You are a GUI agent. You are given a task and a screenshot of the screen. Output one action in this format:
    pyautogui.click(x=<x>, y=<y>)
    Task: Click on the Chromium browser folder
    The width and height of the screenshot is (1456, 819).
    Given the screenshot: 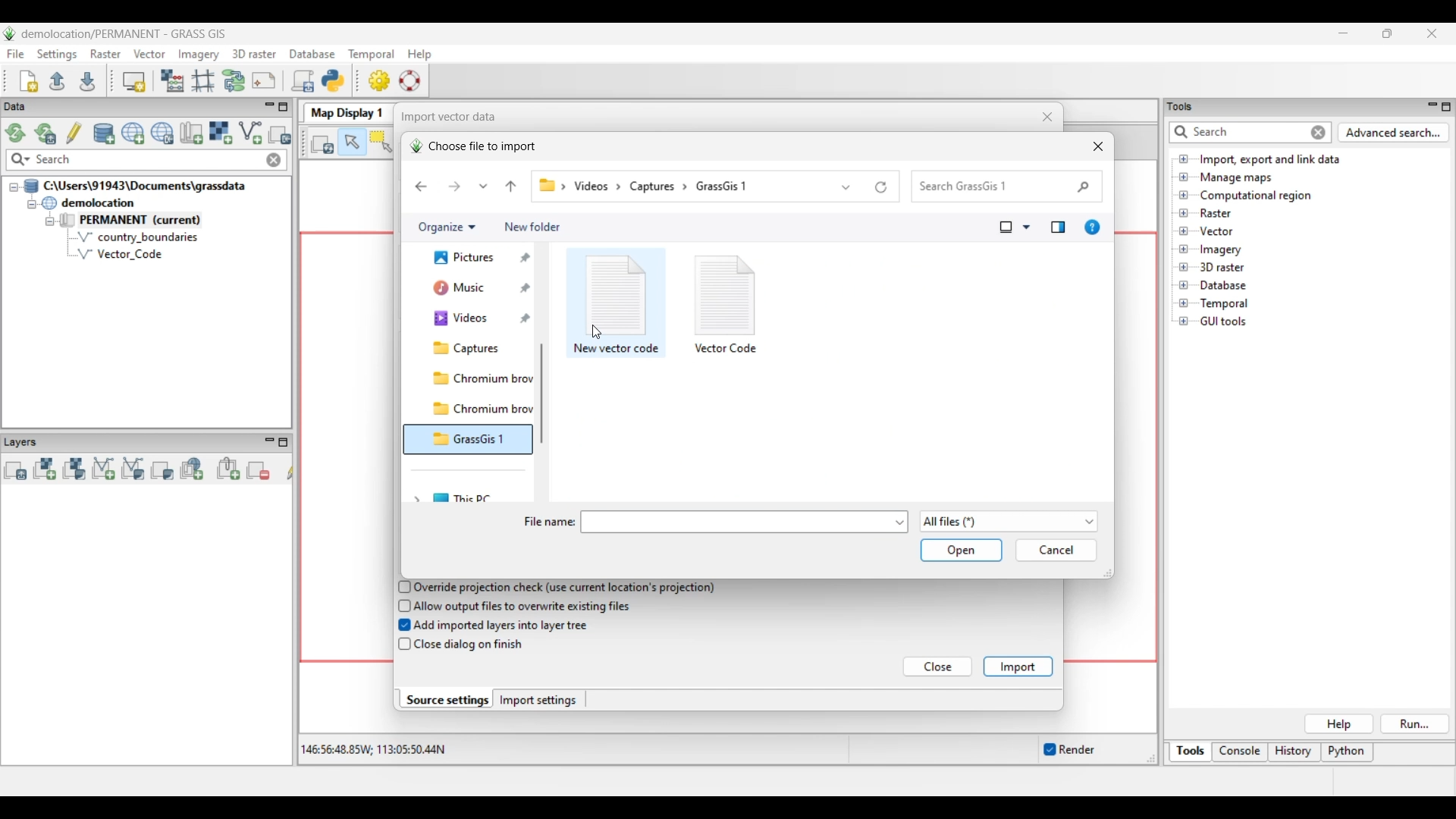 What is the action you would take?
    pyautogui.click(x=479, y=409)
    